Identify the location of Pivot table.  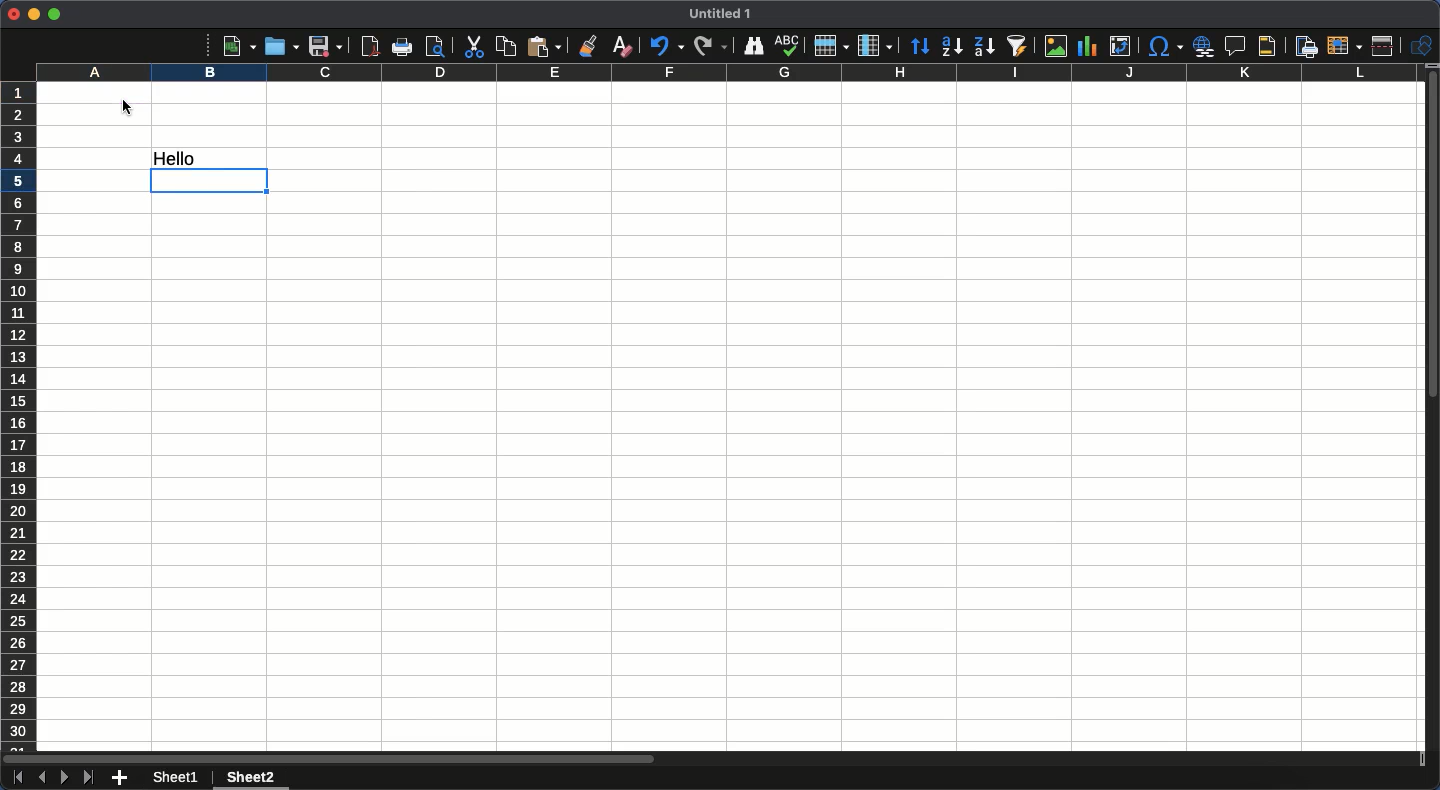
(1120, 46).